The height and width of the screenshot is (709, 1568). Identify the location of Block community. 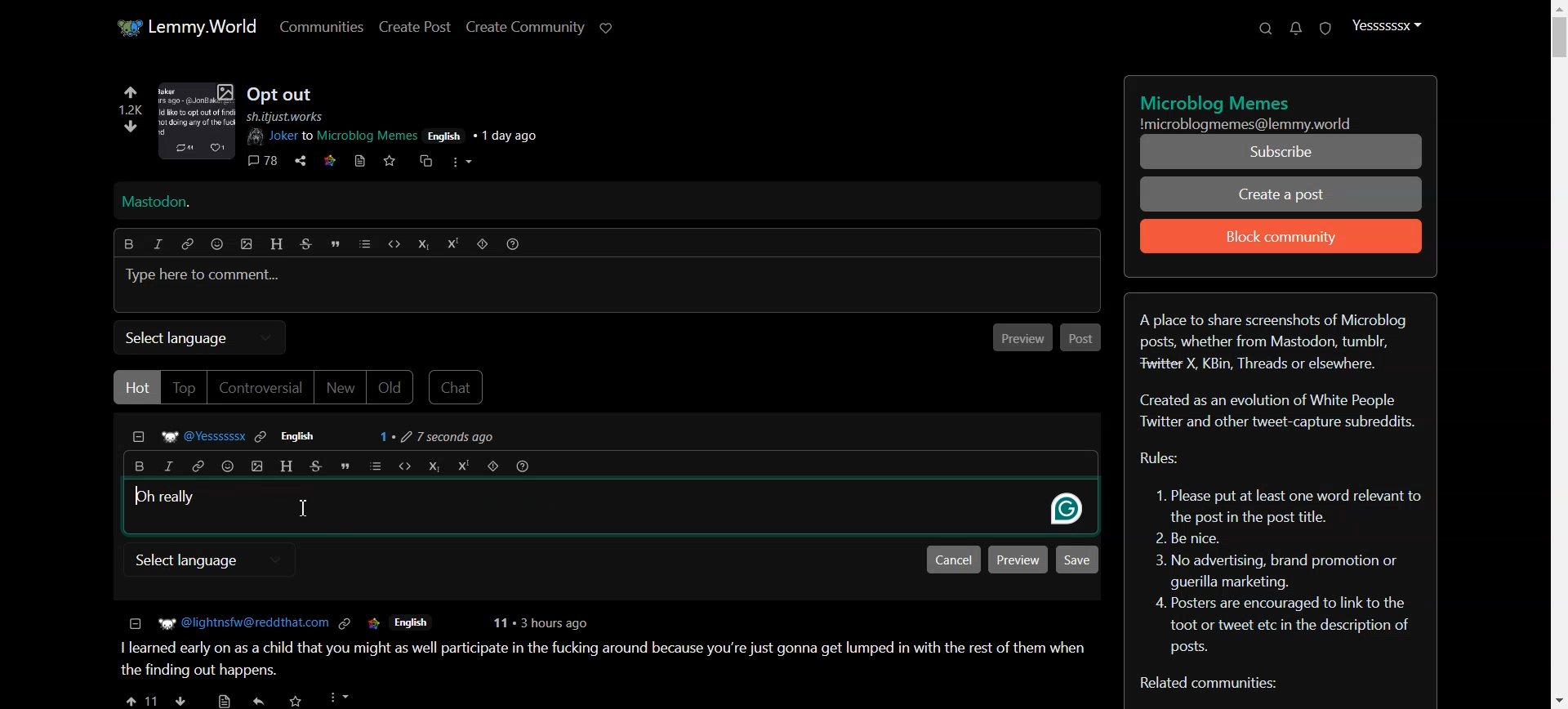
(1281, 236).